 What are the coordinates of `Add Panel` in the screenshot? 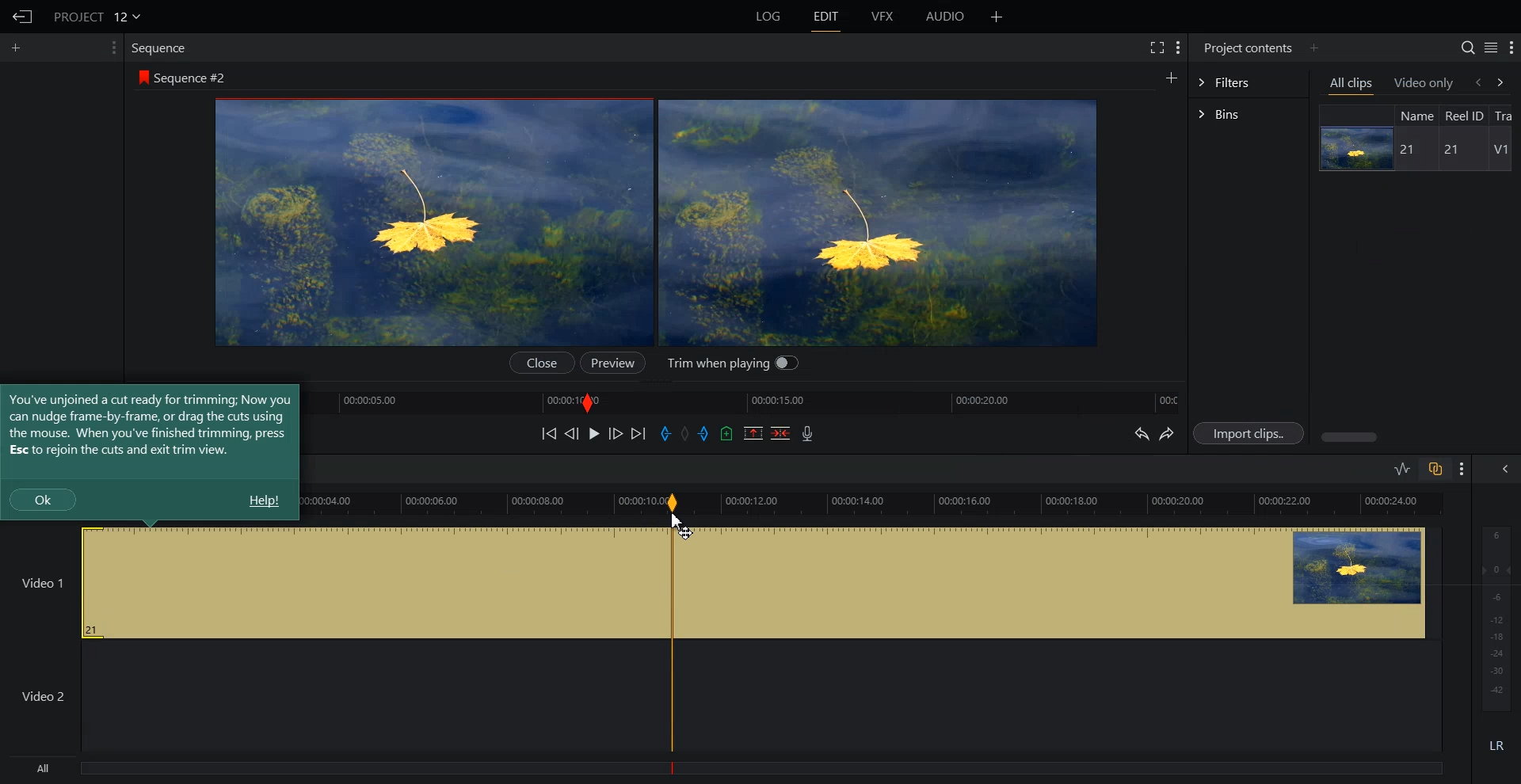 It's located at (997, 16).